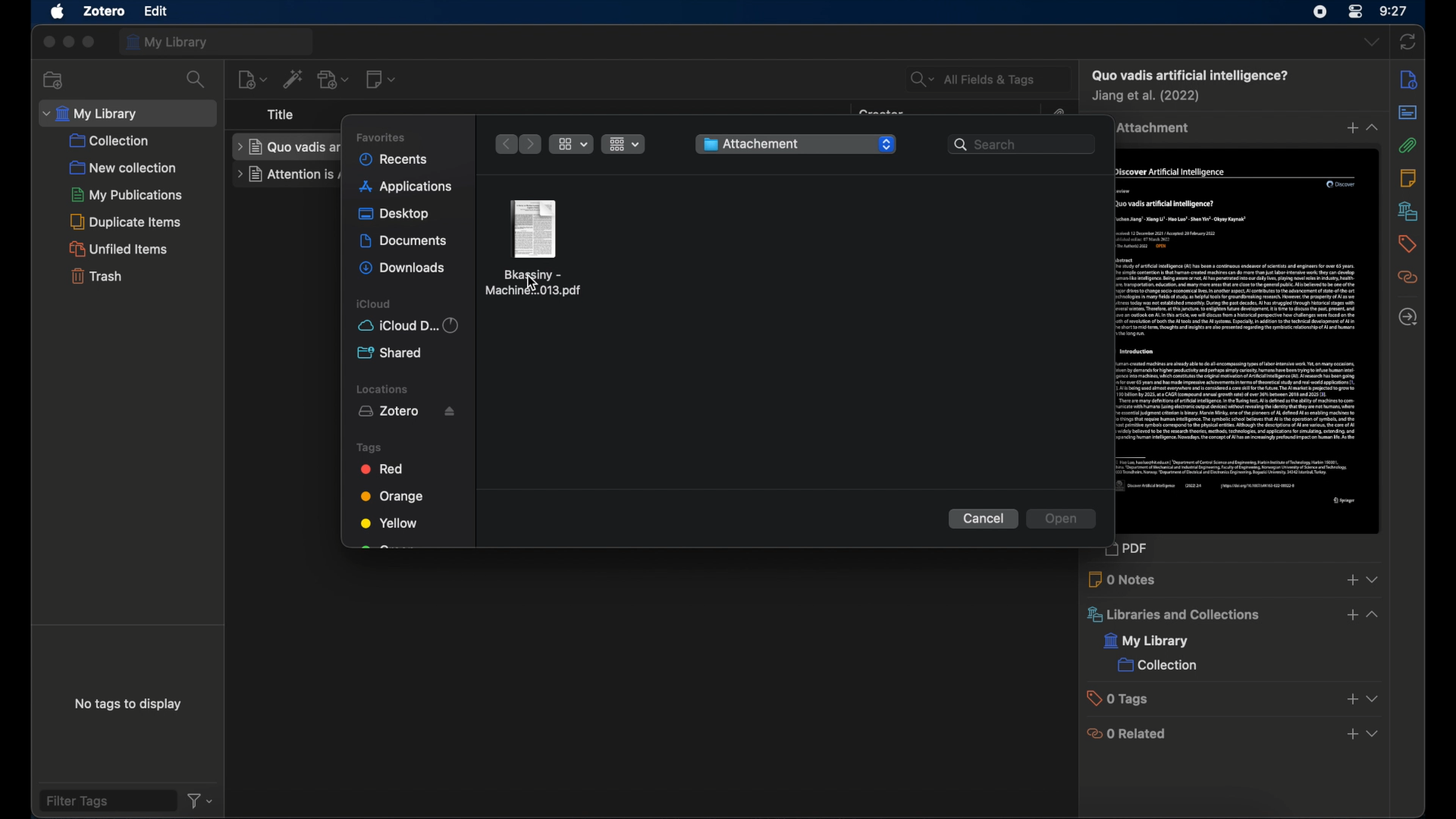 The image size is (1456, 819). I want to click on pdf, so click(1135, 551).